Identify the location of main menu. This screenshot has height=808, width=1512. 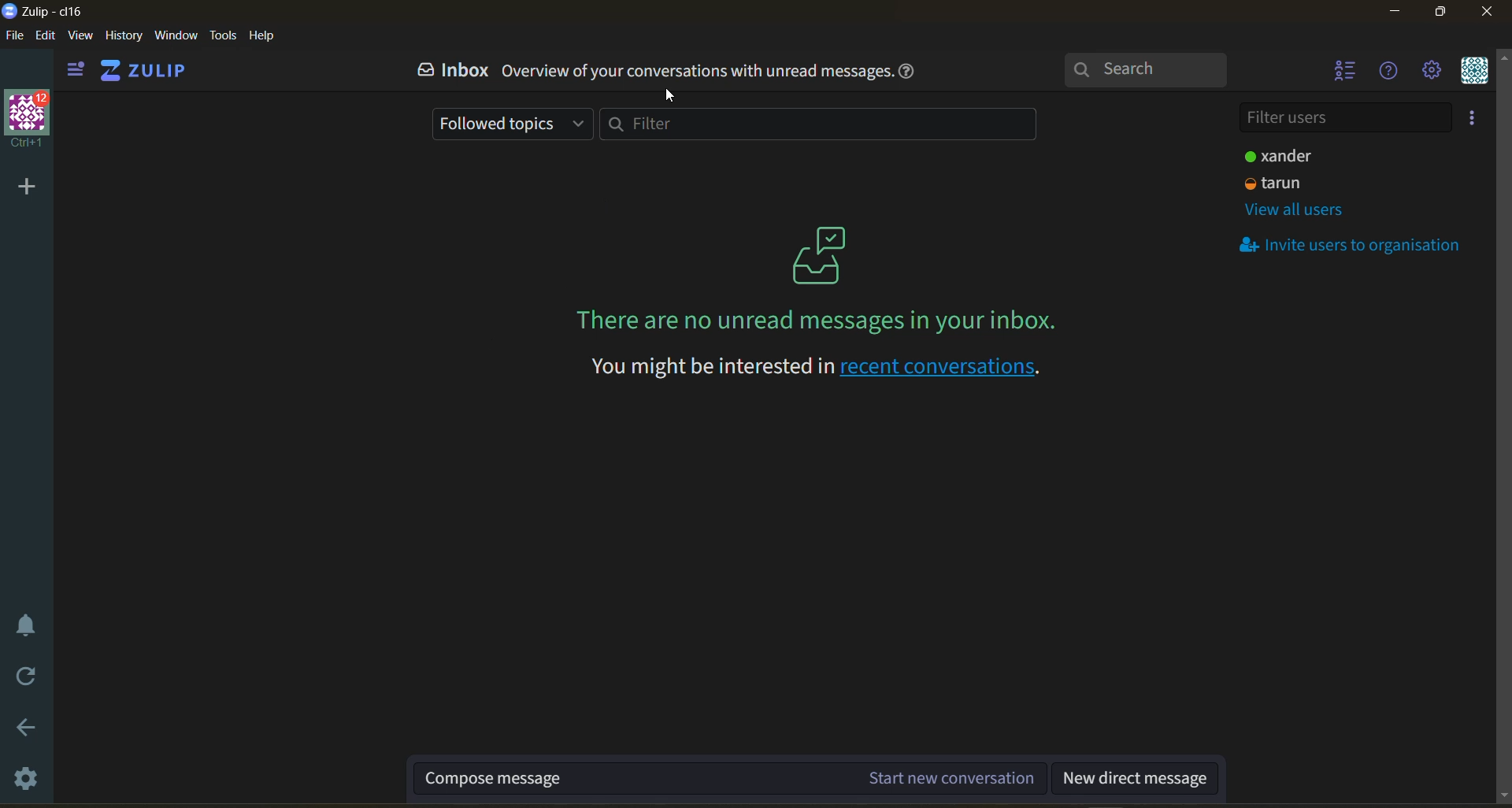
(1443, 70).